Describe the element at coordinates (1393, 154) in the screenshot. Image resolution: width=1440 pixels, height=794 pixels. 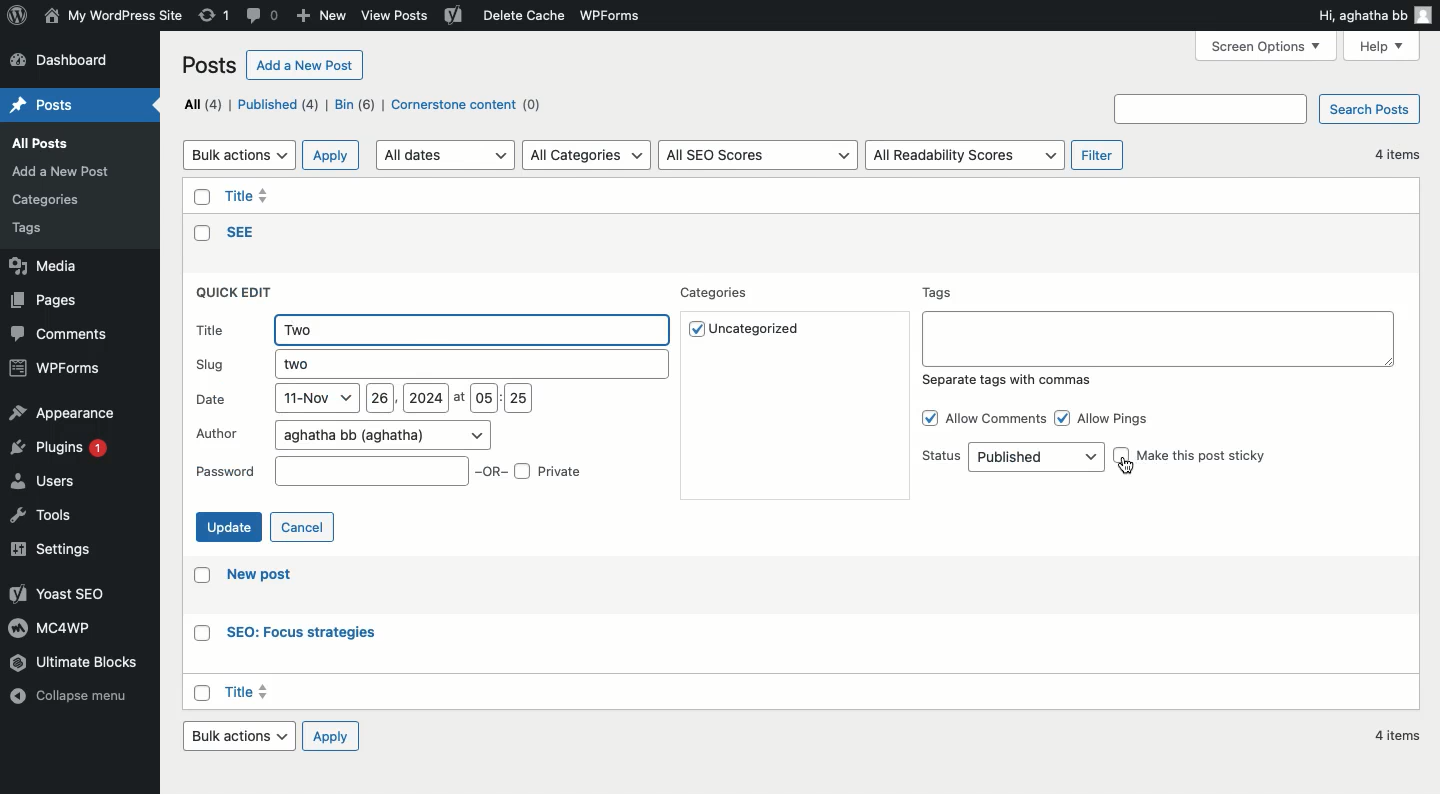
I see `4 items` at that location.